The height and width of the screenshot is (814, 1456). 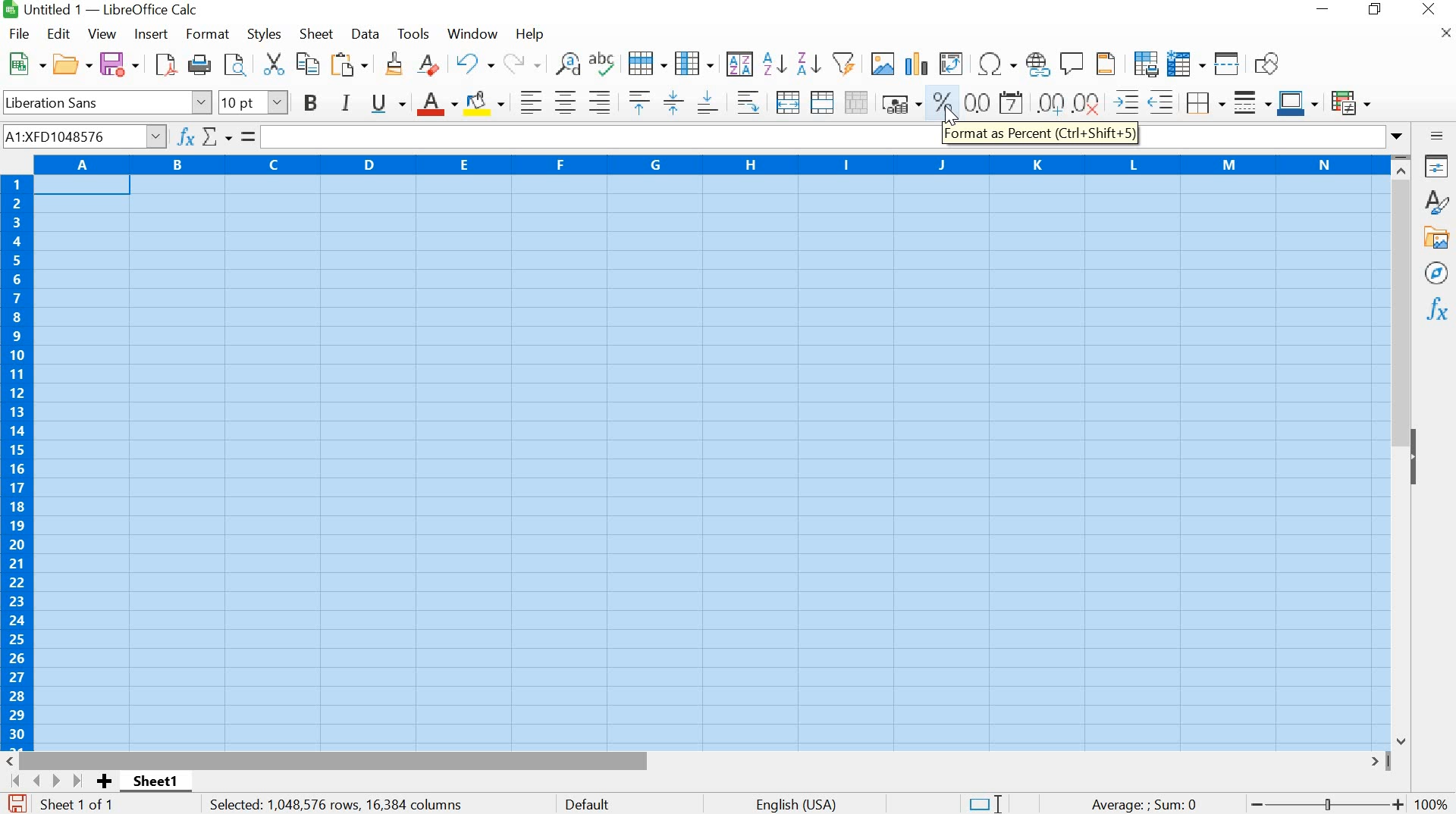 I want to click on Styles, so click(x=1436, y=203).